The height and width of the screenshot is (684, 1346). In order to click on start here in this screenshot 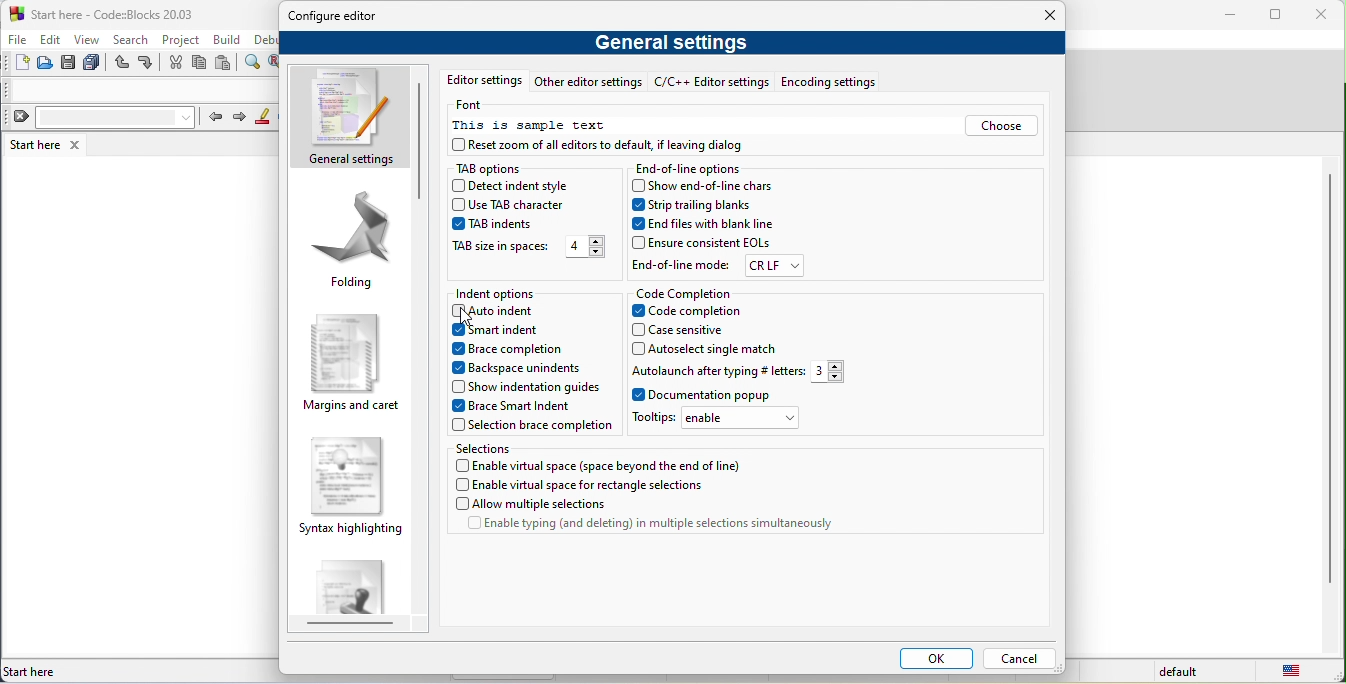, I will do `click(32, 145)`.